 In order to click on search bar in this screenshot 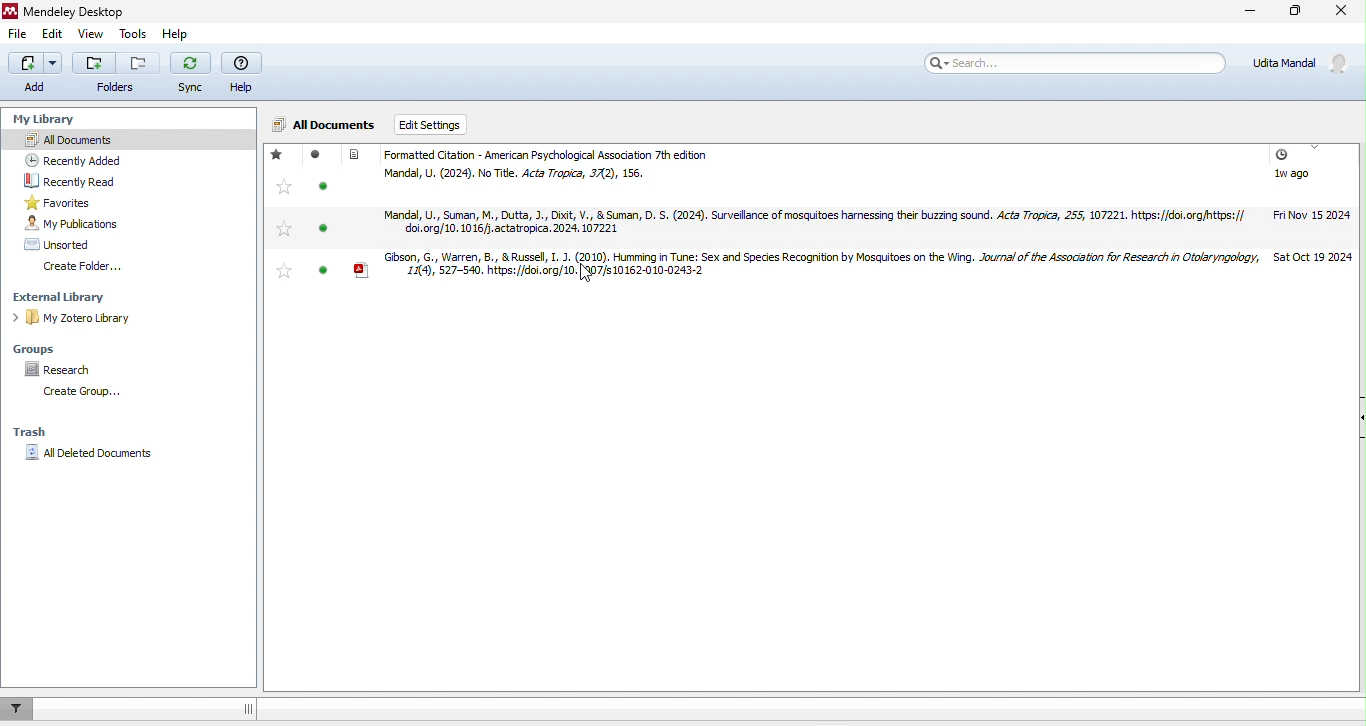, I will do `click(1080, 65)`.